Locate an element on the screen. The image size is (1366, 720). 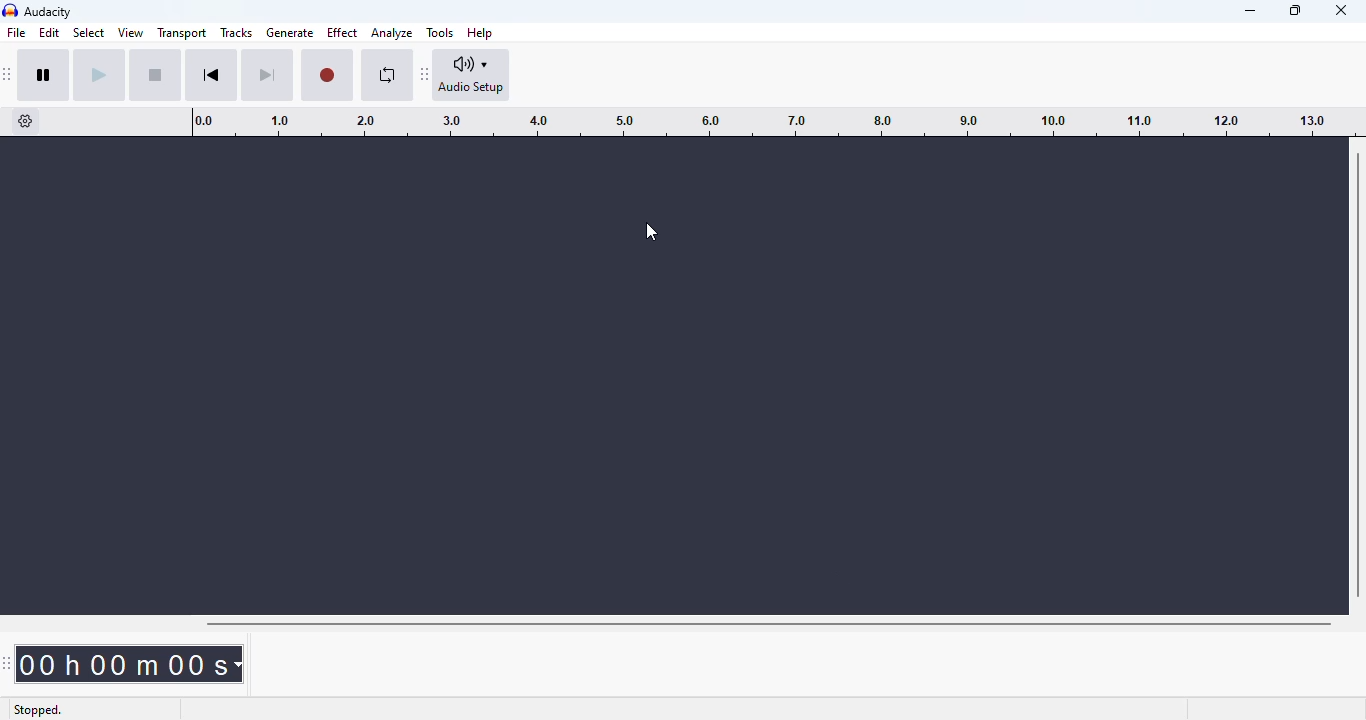
minimize is located at coordinates (1251, 11).